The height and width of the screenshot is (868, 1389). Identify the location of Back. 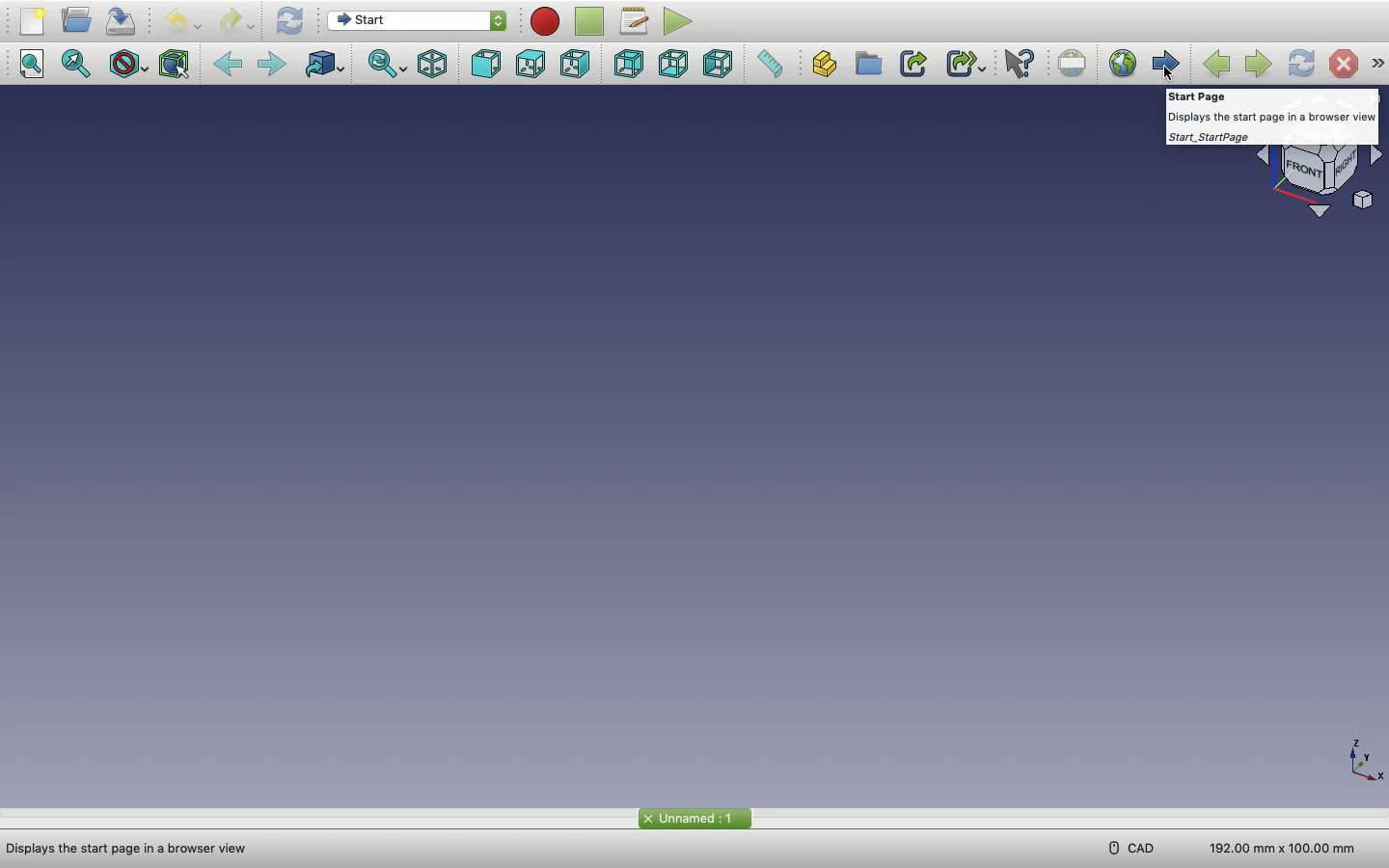
(231, 64).